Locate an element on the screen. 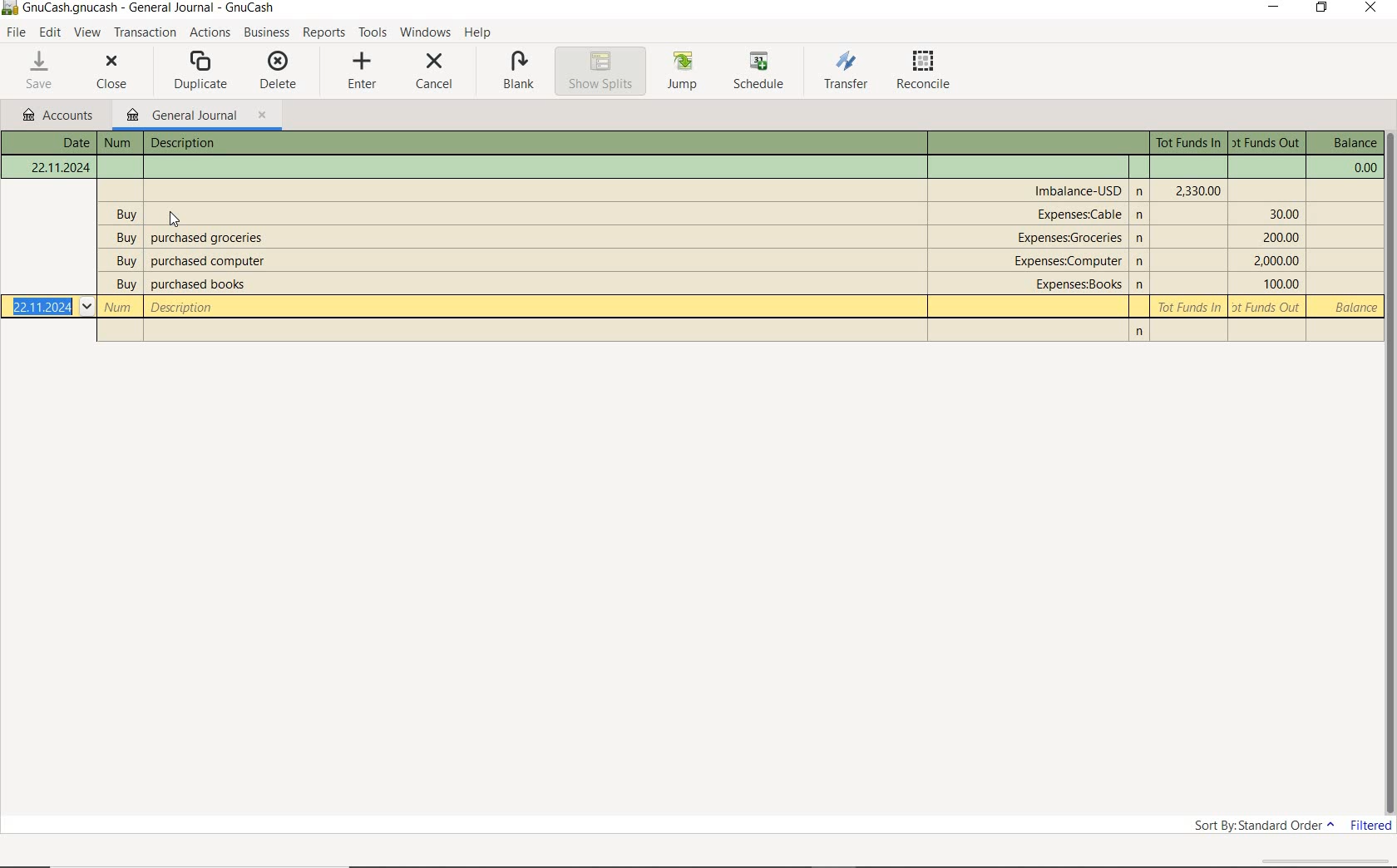 The width and height of the screenshot is (1397, 868). FILE is located at coordinates (14, 34).